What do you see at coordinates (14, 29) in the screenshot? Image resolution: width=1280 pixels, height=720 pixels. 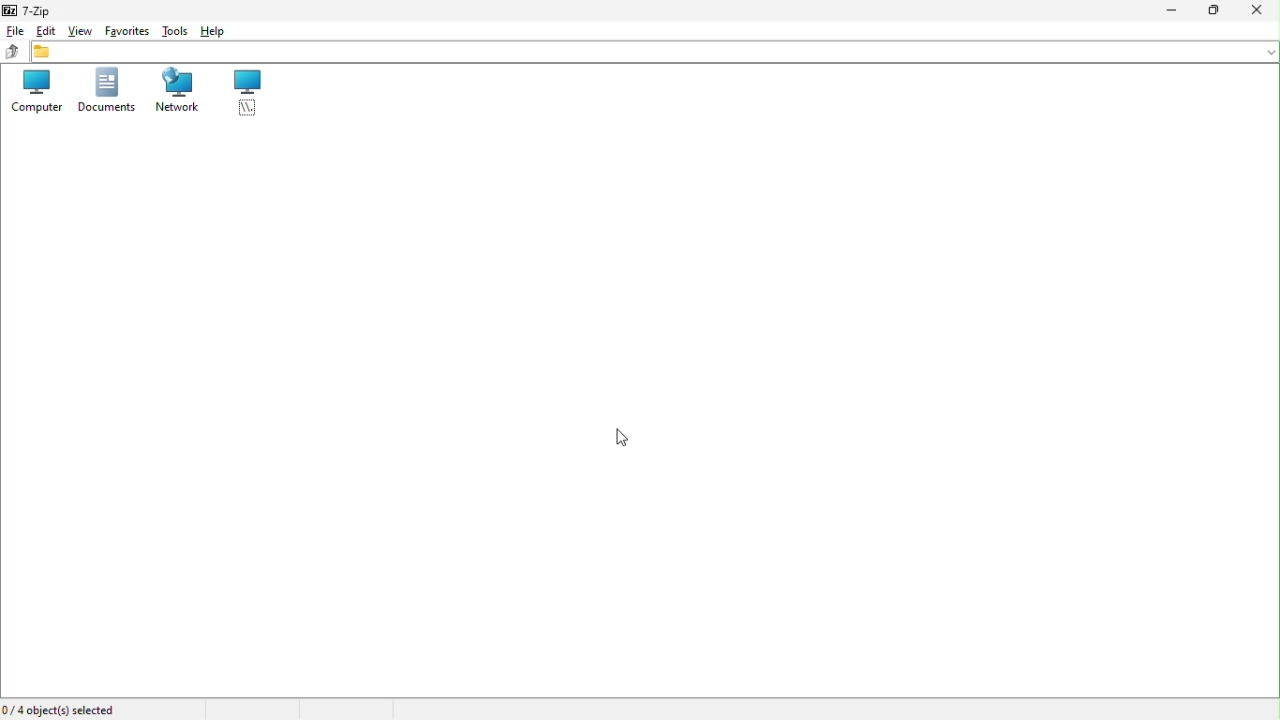 I see `File` at bounding box center [14, 29].